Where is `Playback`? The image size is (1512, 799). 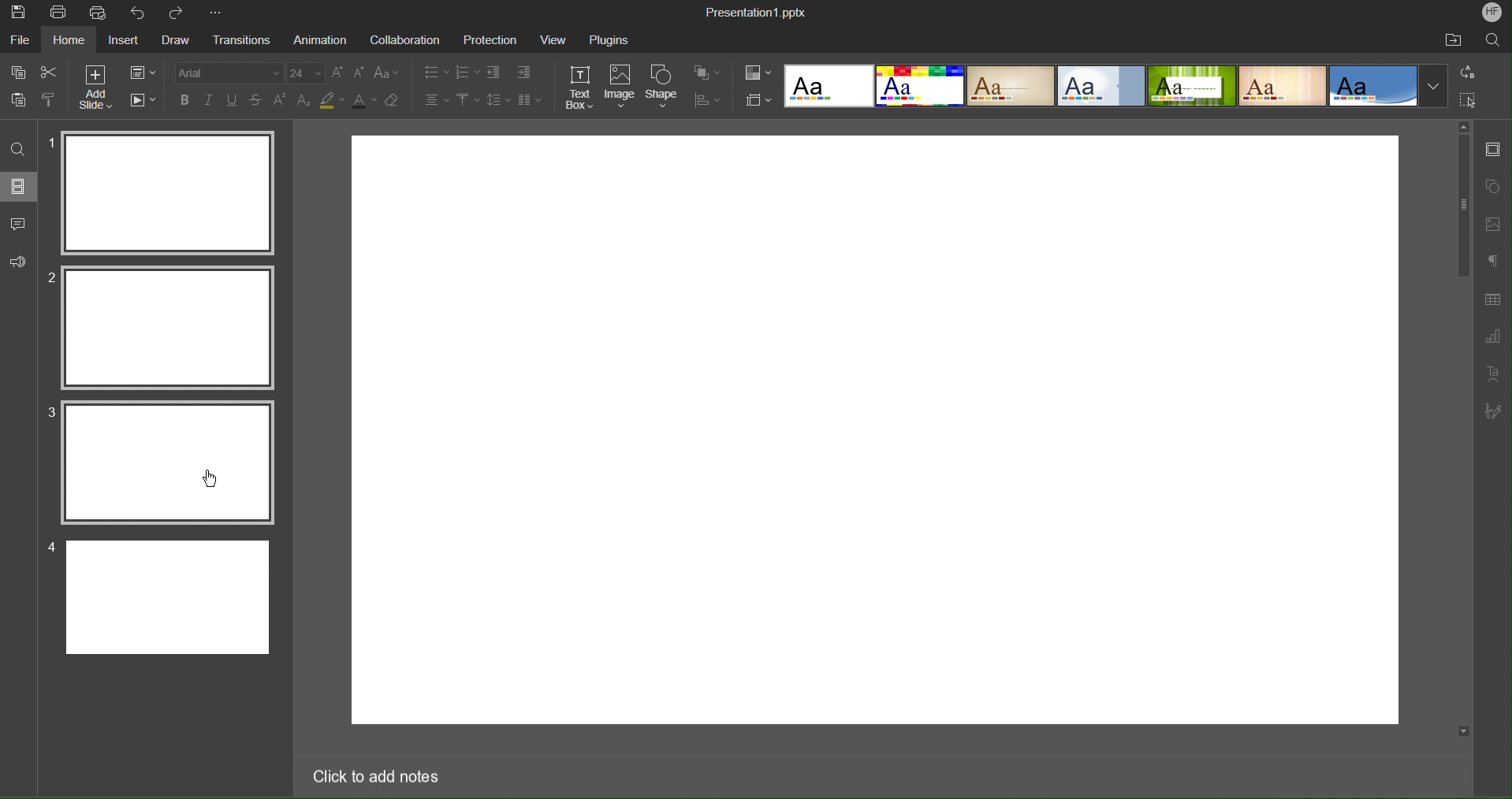
Playback is located at coordinates (142, 98).